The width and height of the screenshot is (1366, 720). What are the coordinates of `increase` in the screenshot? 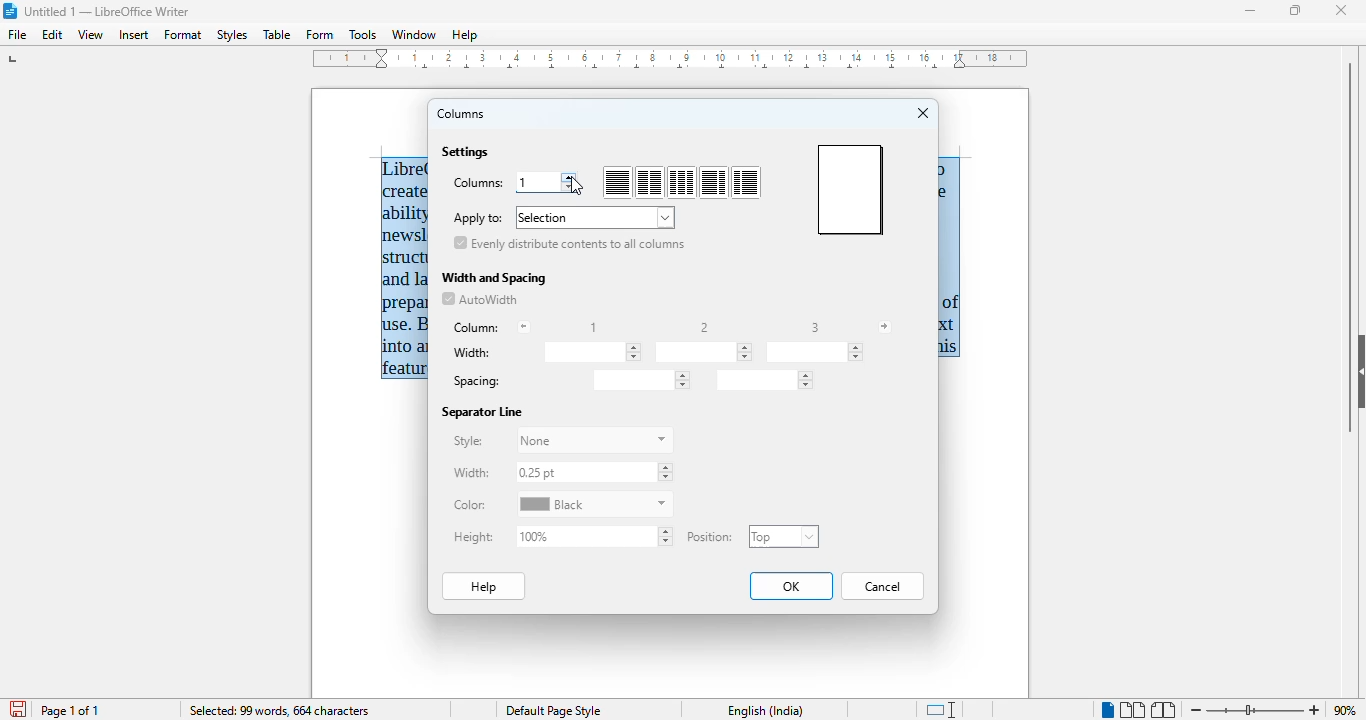 It's located at (570, 176).